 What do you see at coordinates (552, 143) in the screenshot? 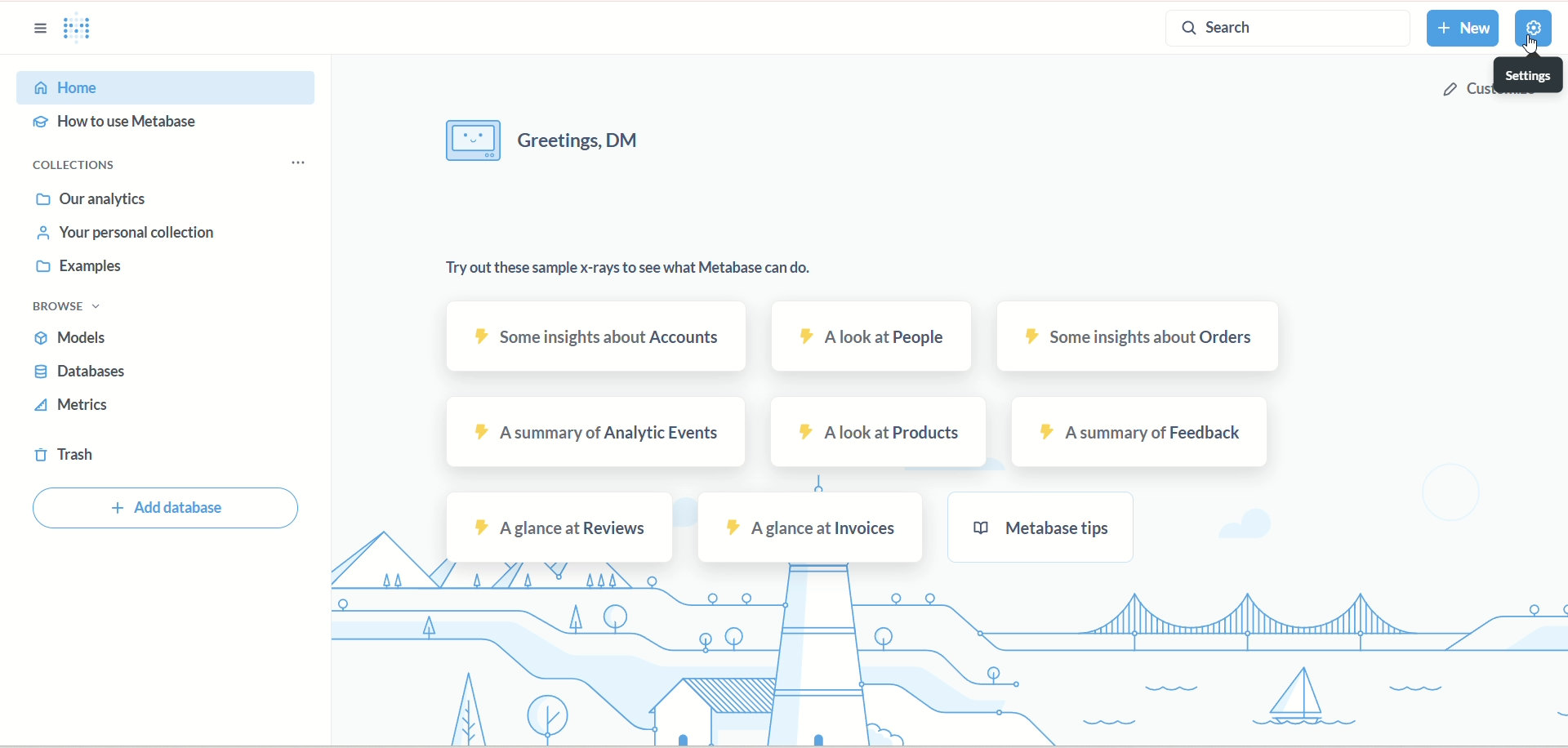
I see `Greetings,DM` at bounding box center [552, 143].